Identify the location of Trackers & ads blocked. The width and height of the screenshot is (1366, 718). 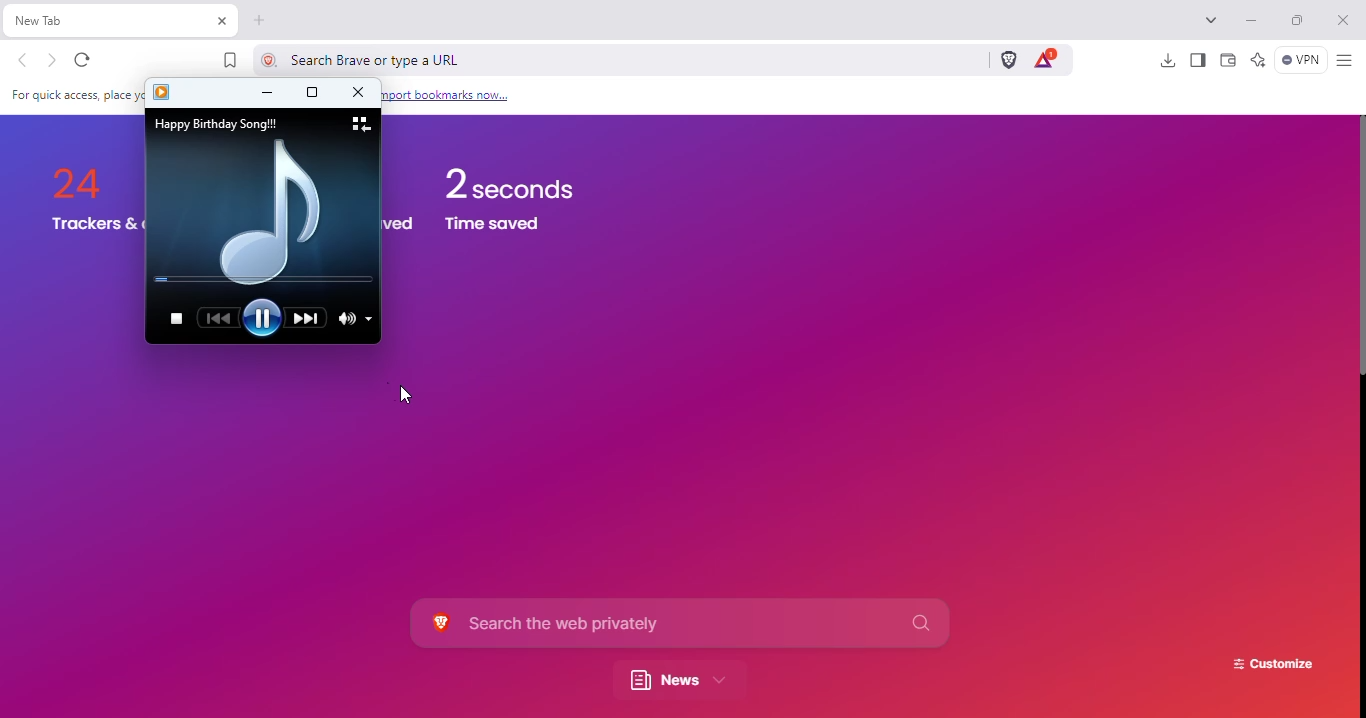
(96, 225).